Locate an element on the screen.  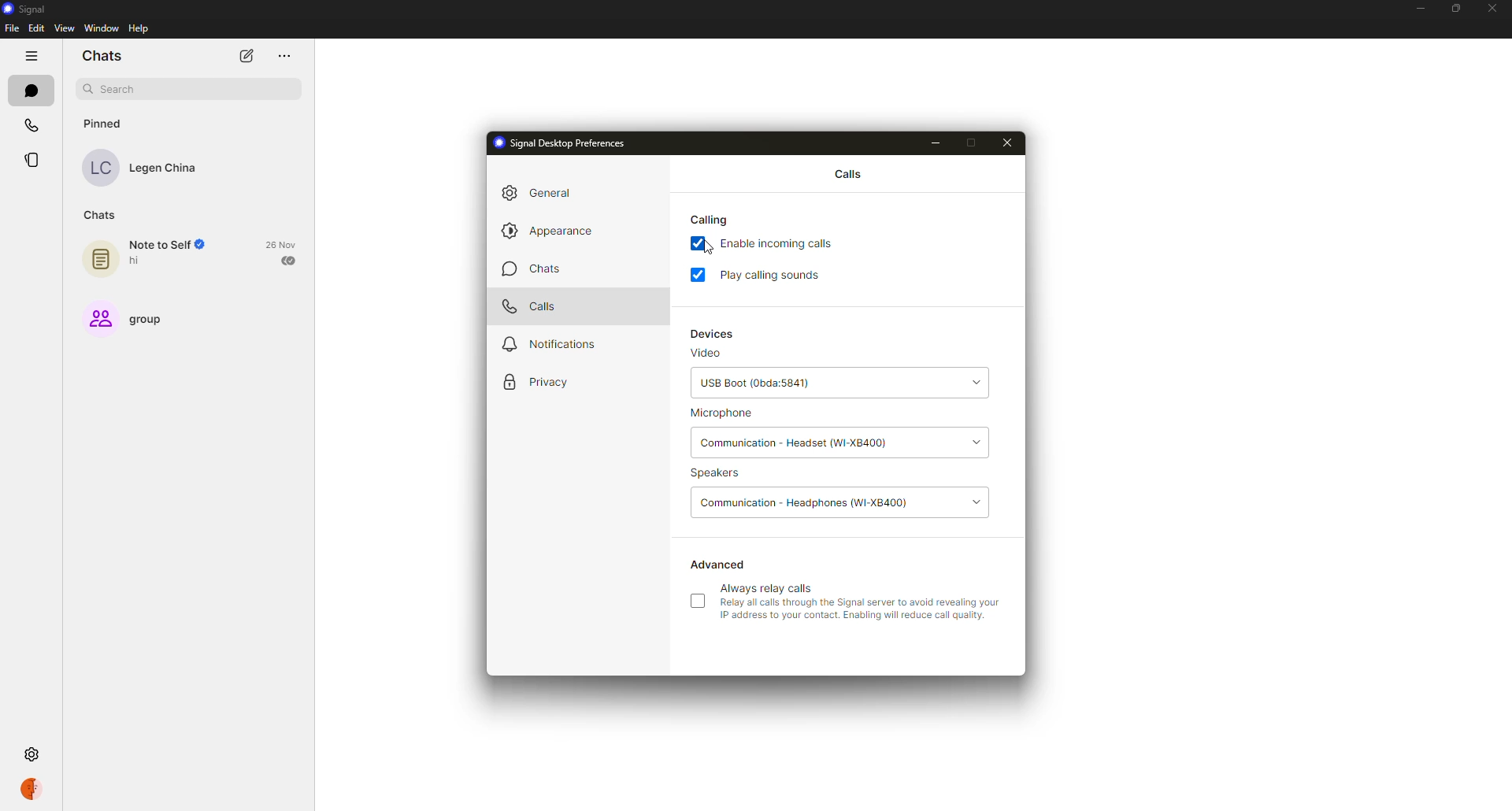
minimize is located at coordinates (937, 142).